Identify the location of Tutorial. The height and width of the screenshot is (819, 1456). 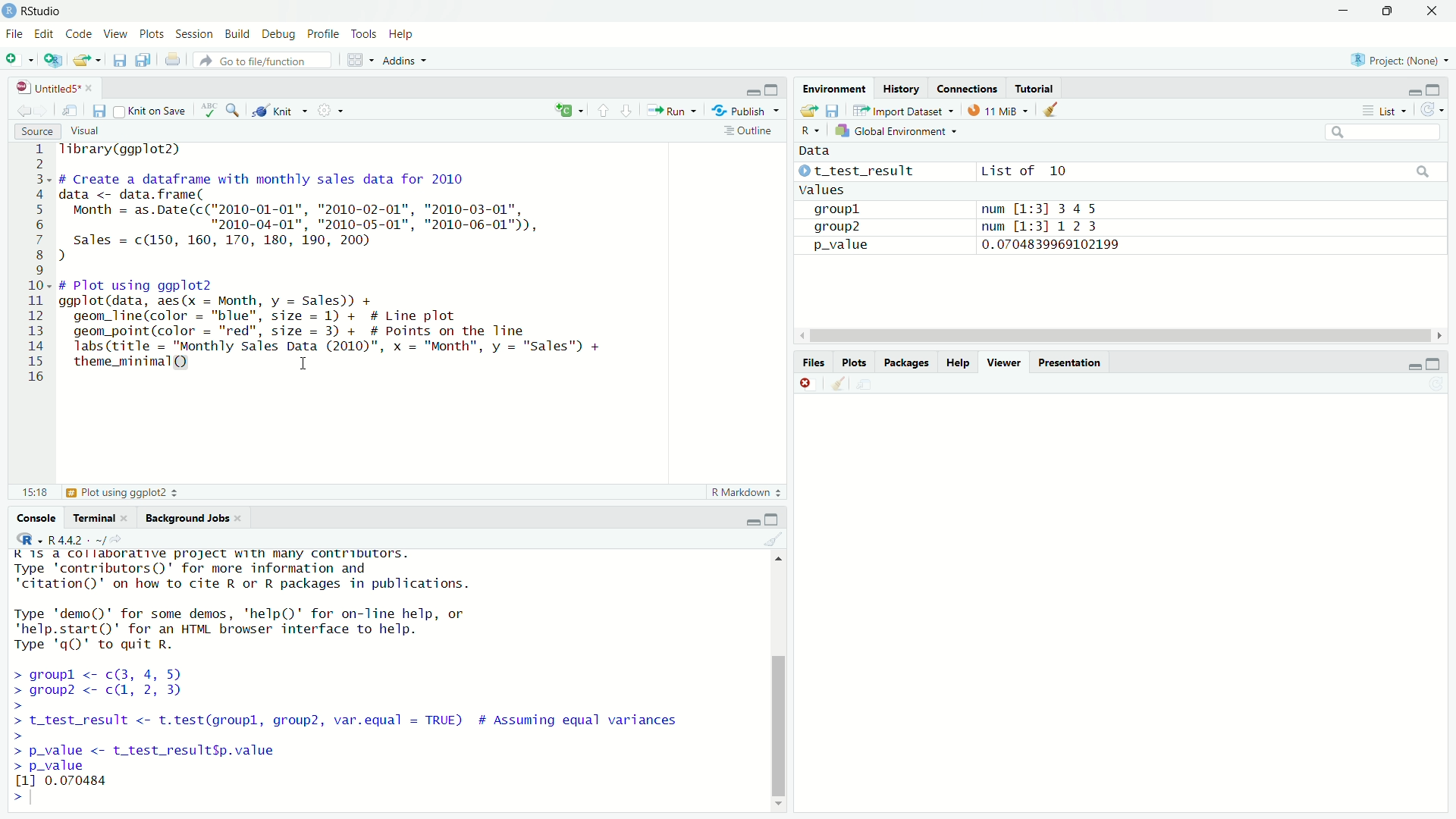
(1035, 86).